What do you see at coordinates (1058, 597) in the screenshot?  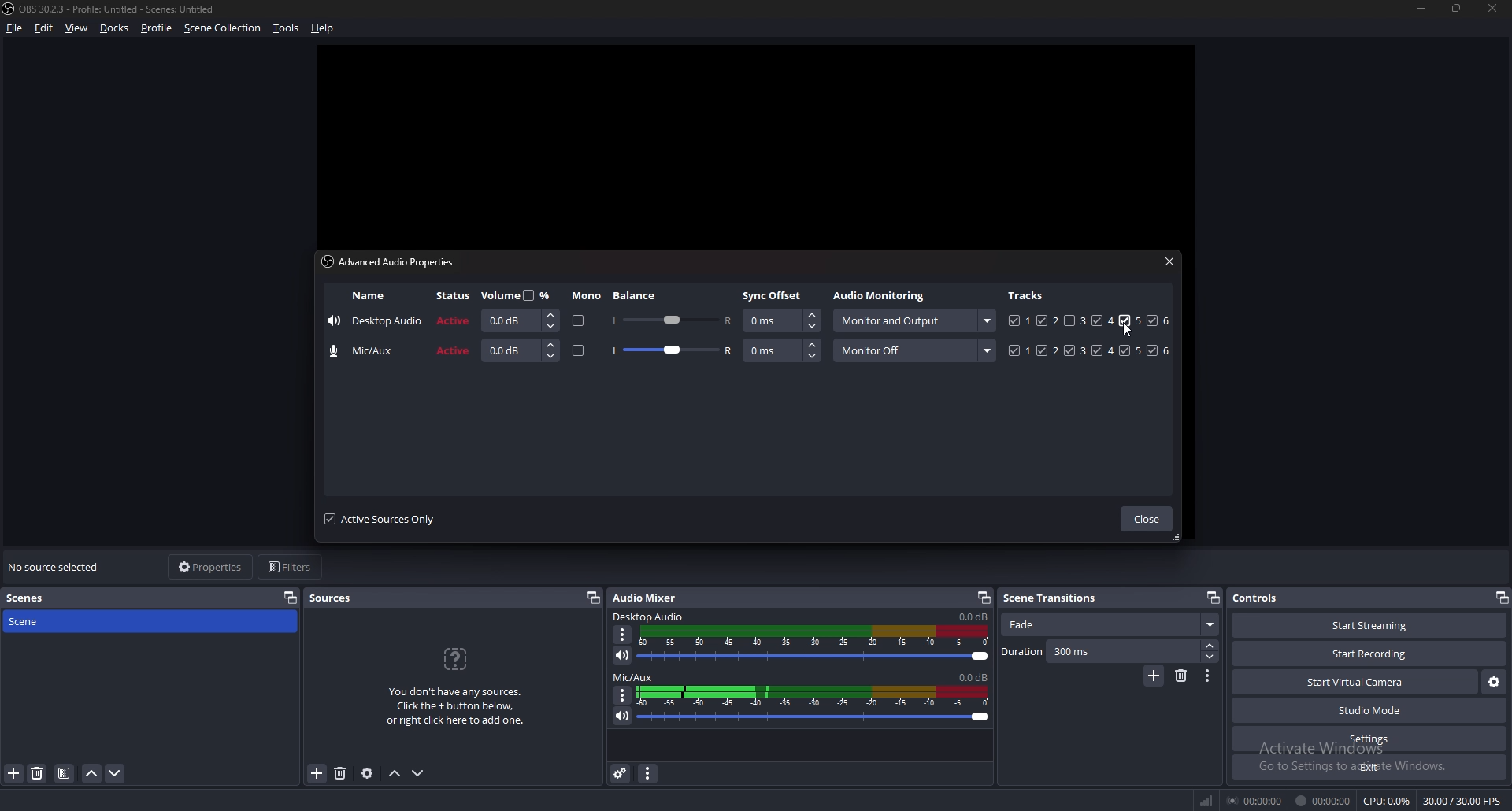 I see `scene transitions` at bounding box center [1058, 597].